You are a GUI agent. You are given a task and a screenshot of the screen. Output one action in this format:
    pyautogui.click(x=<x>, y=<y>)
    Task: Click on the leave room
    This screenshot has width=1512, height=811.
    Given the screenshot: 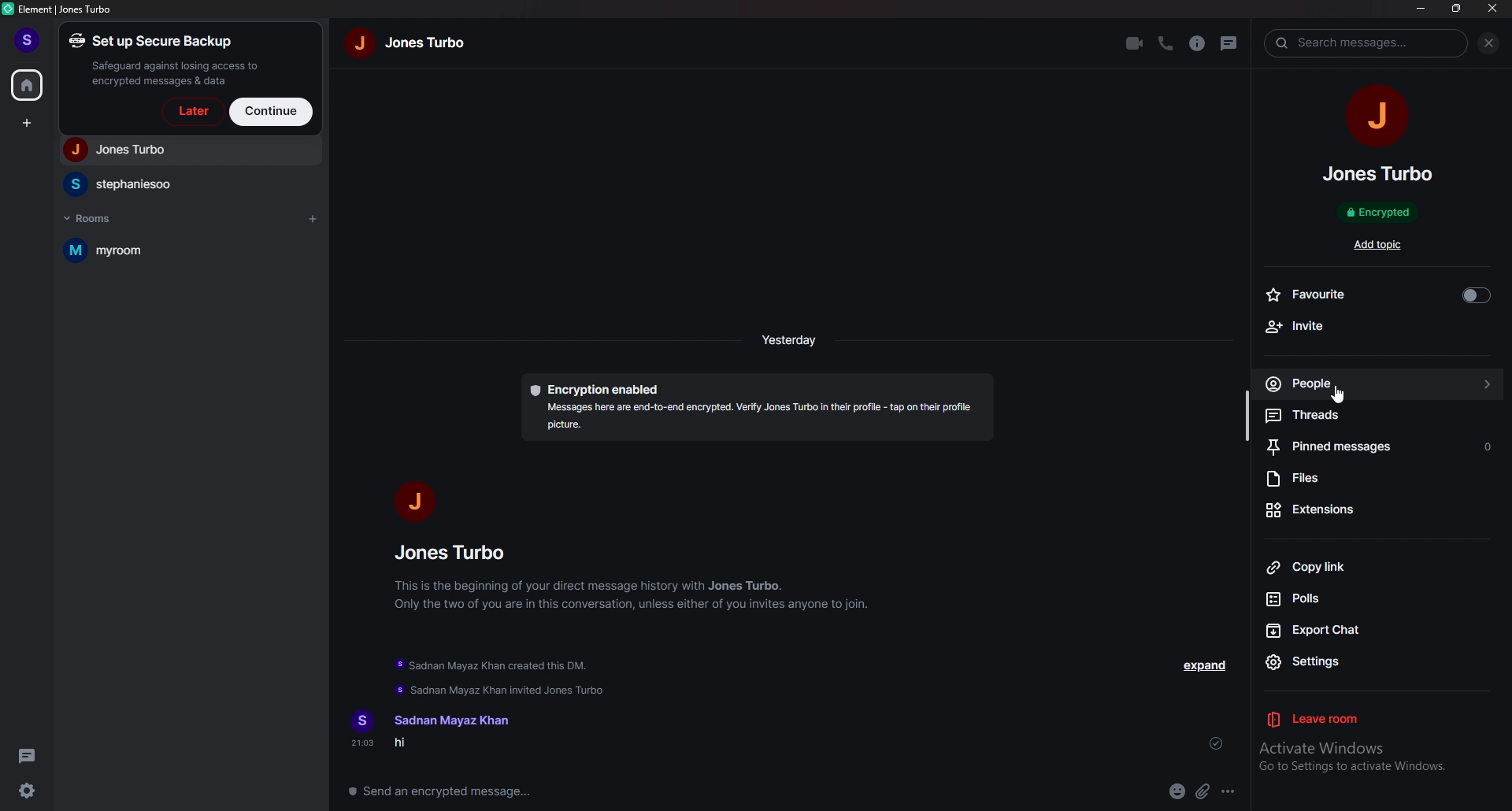 What is the action you would take?
    pyautogui.click(x=1379, y=717)
    